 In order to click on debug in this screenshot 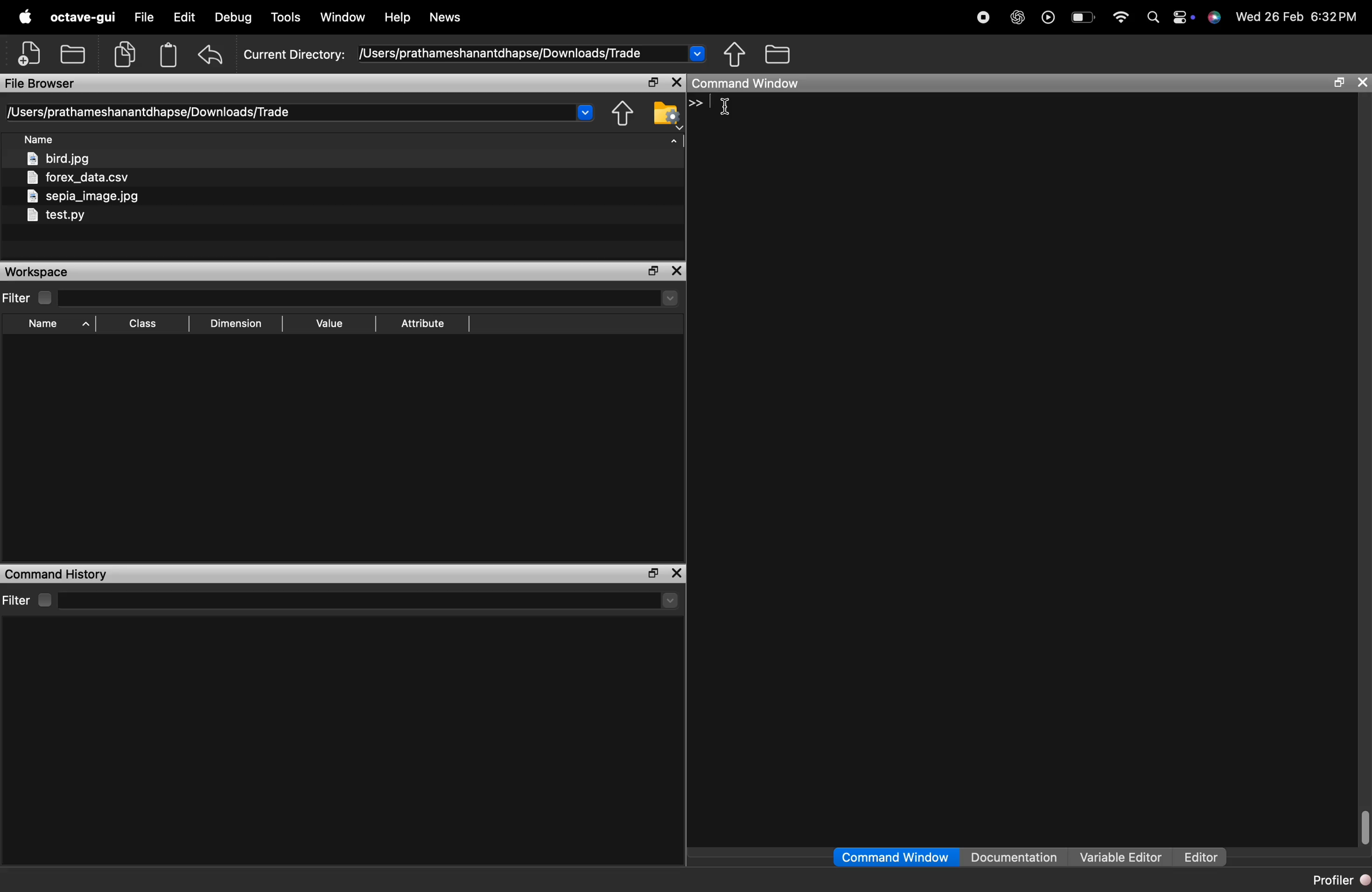, I will do `click(234, 18)`.